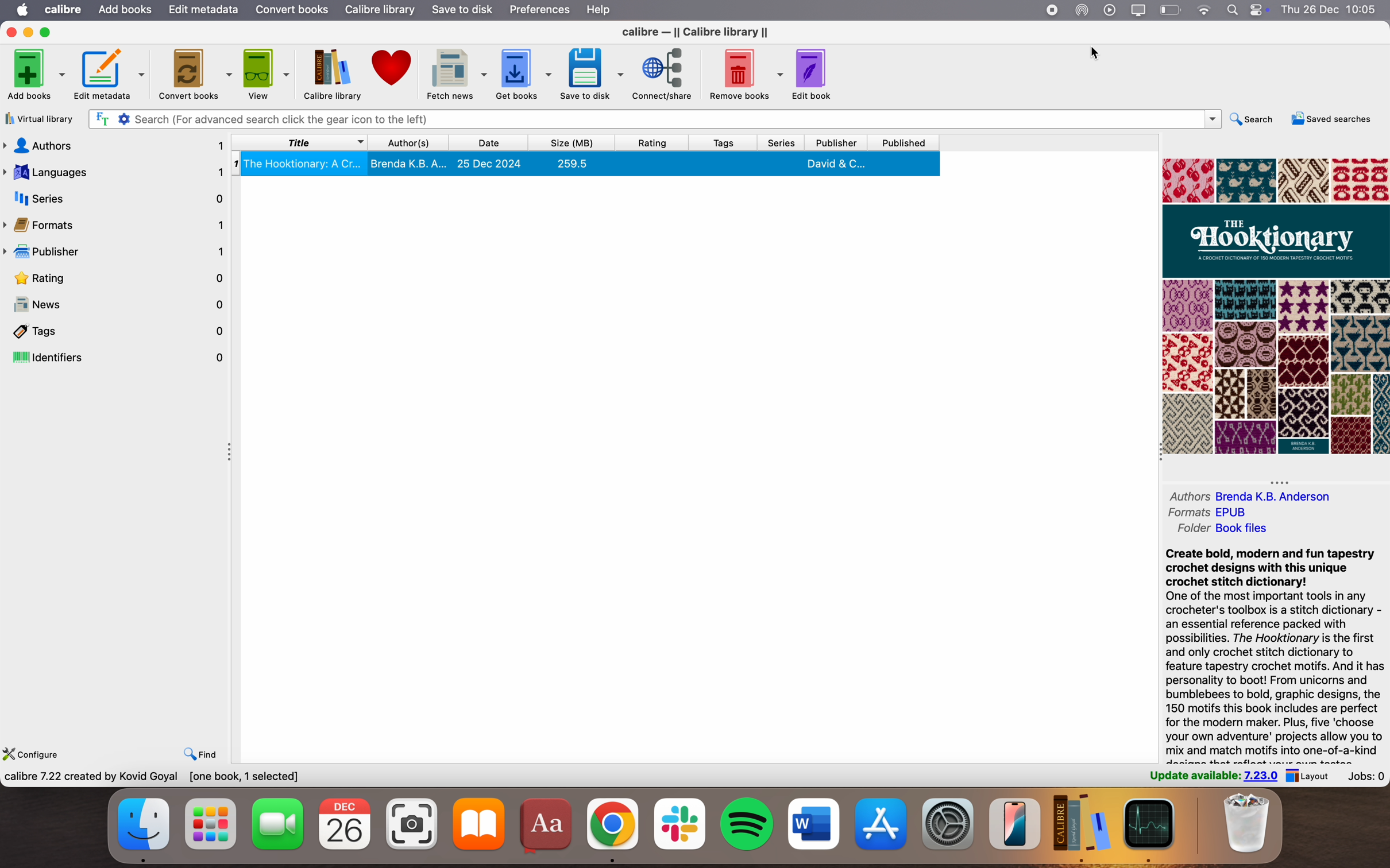 The image size is (1390, 868). I want to click on wifi, so click(1202, 9).